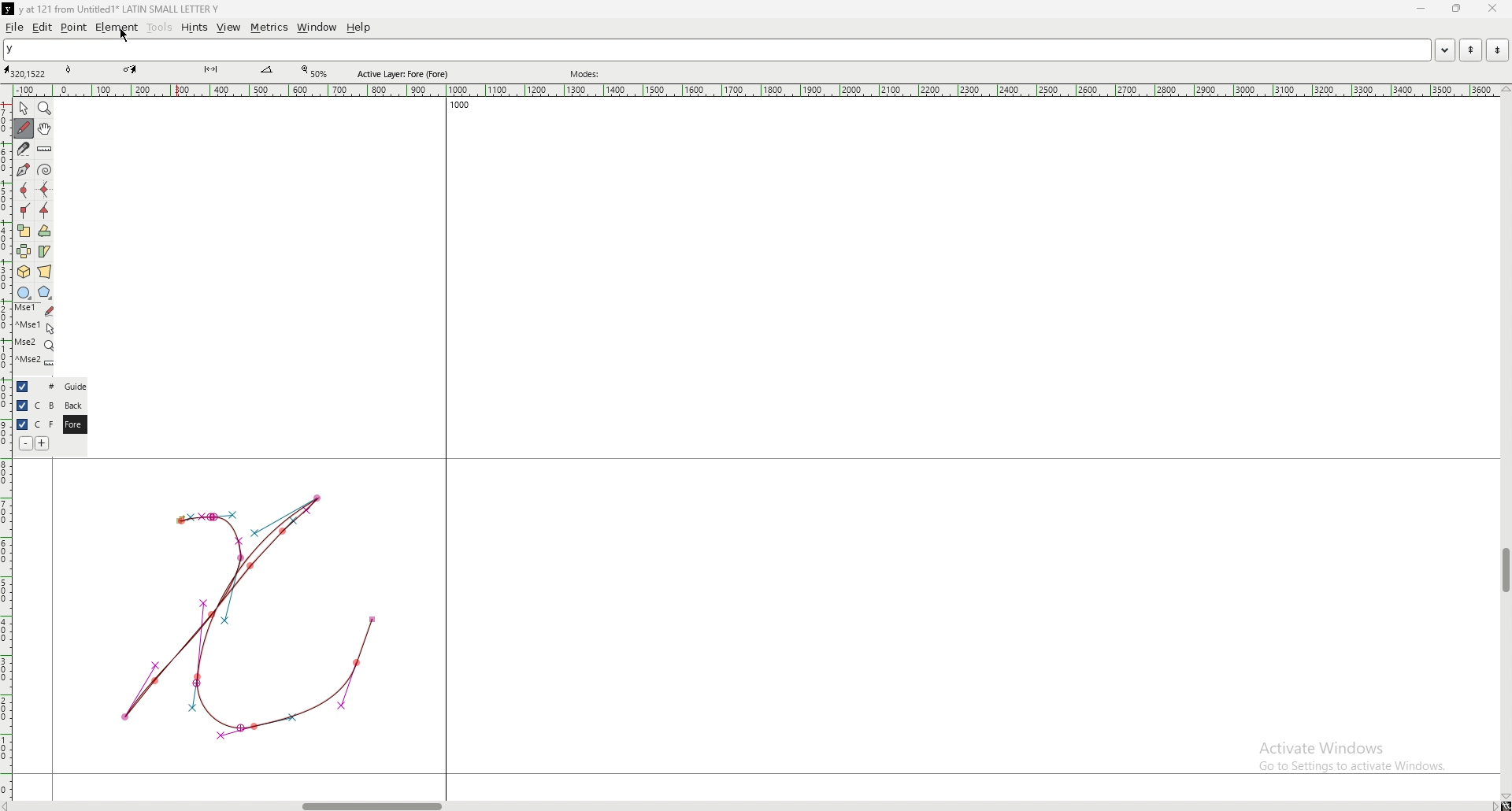 This screenshot has height=811, width=1512. I want to click on measure distance, so click(45, 150).